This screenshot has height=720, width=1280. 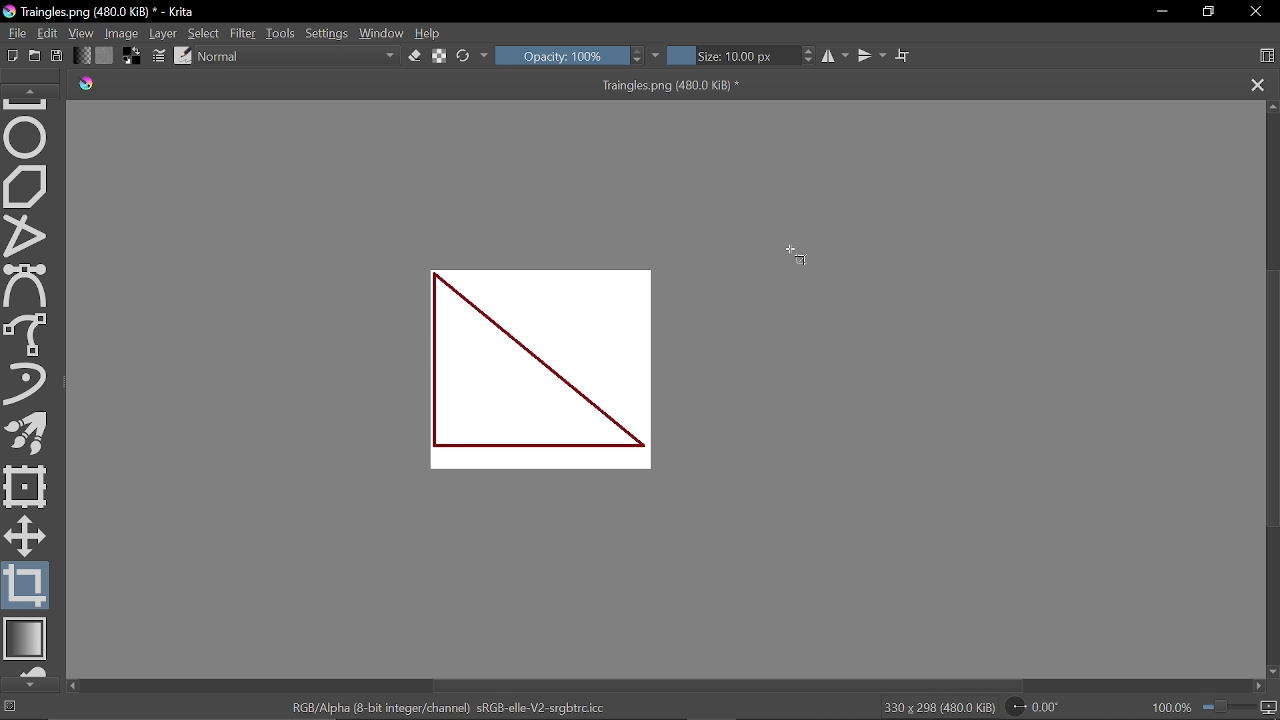 I want to click on Move a layer, so click(x=23, y=534).